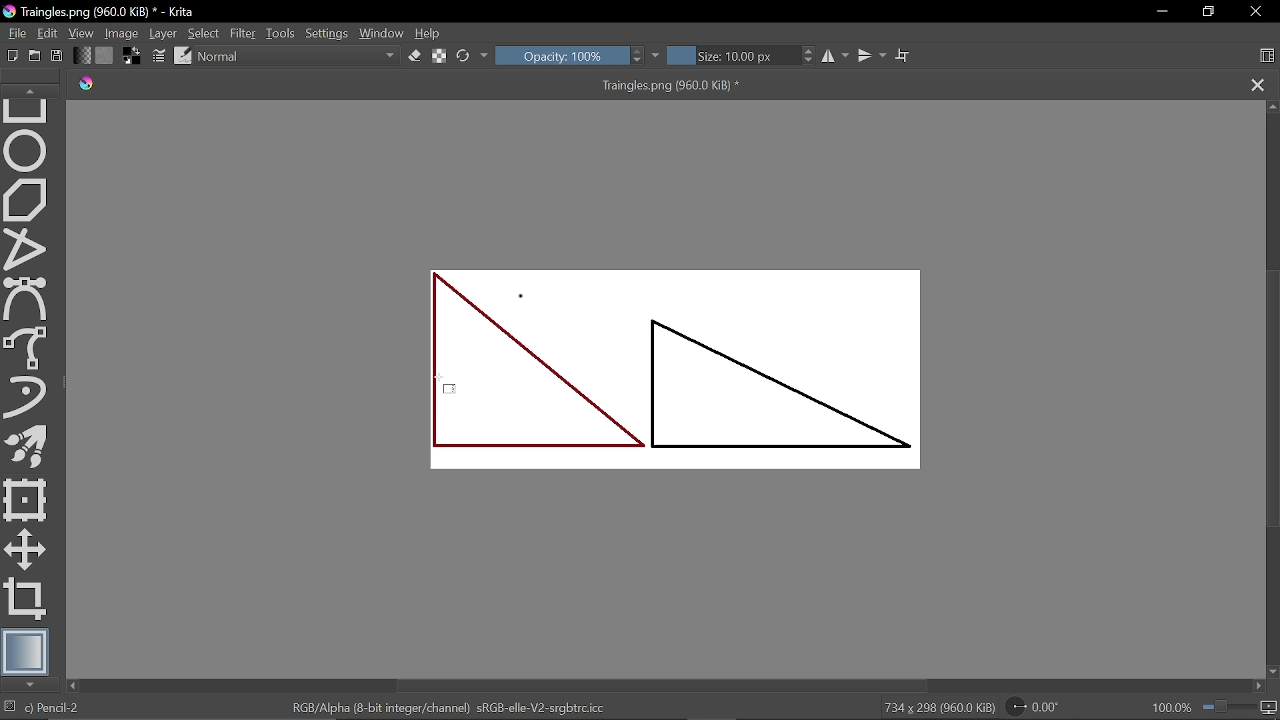  Describe the element at coordinates (454, 389) in the screenshot. I see `Cursor` at that location.